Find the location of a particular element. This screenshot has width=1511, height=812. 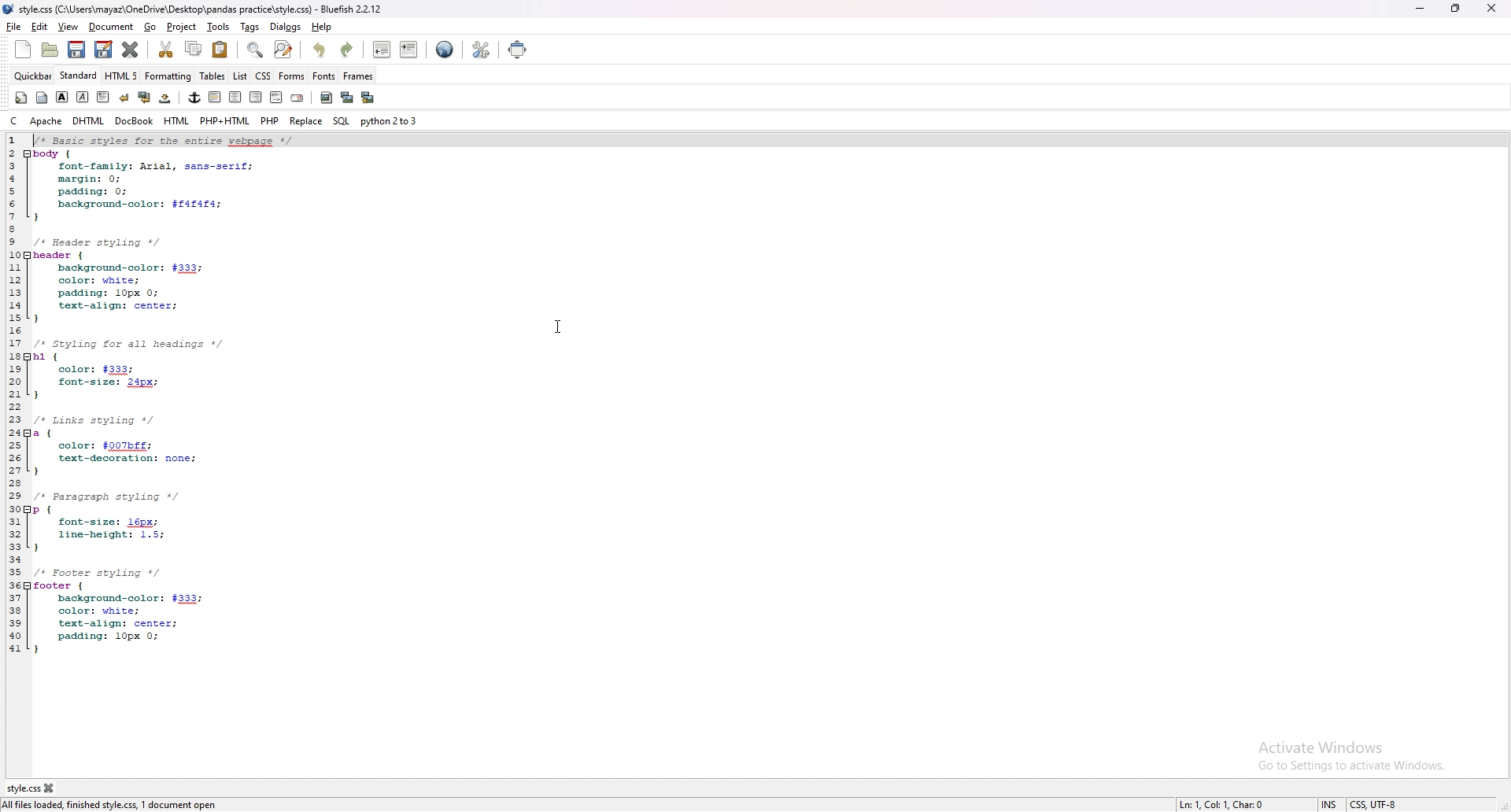

html is located at coordinates (177, 121).